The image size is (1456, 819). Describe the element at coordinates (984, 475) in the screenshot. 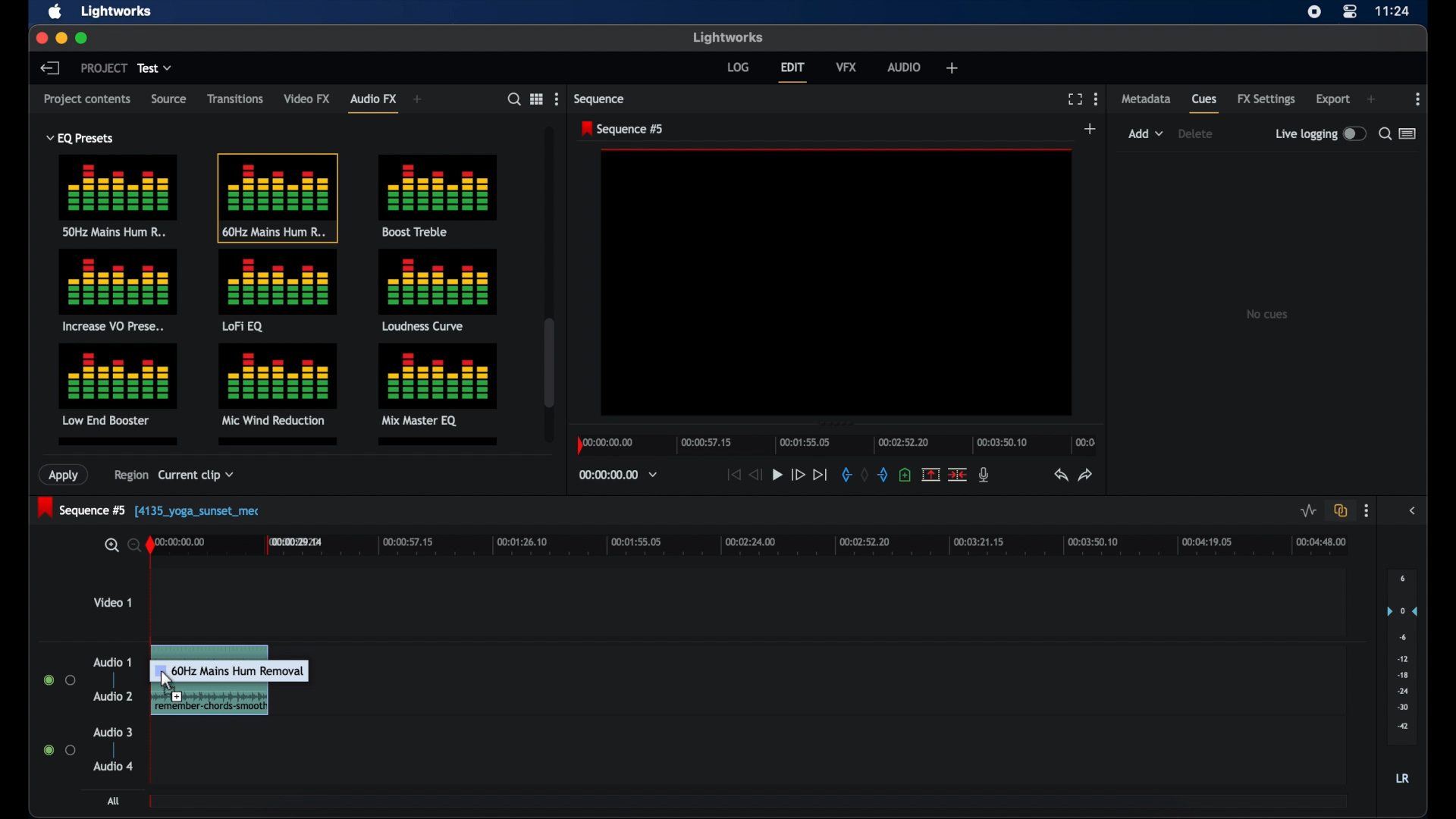

I see `mic` at that location.